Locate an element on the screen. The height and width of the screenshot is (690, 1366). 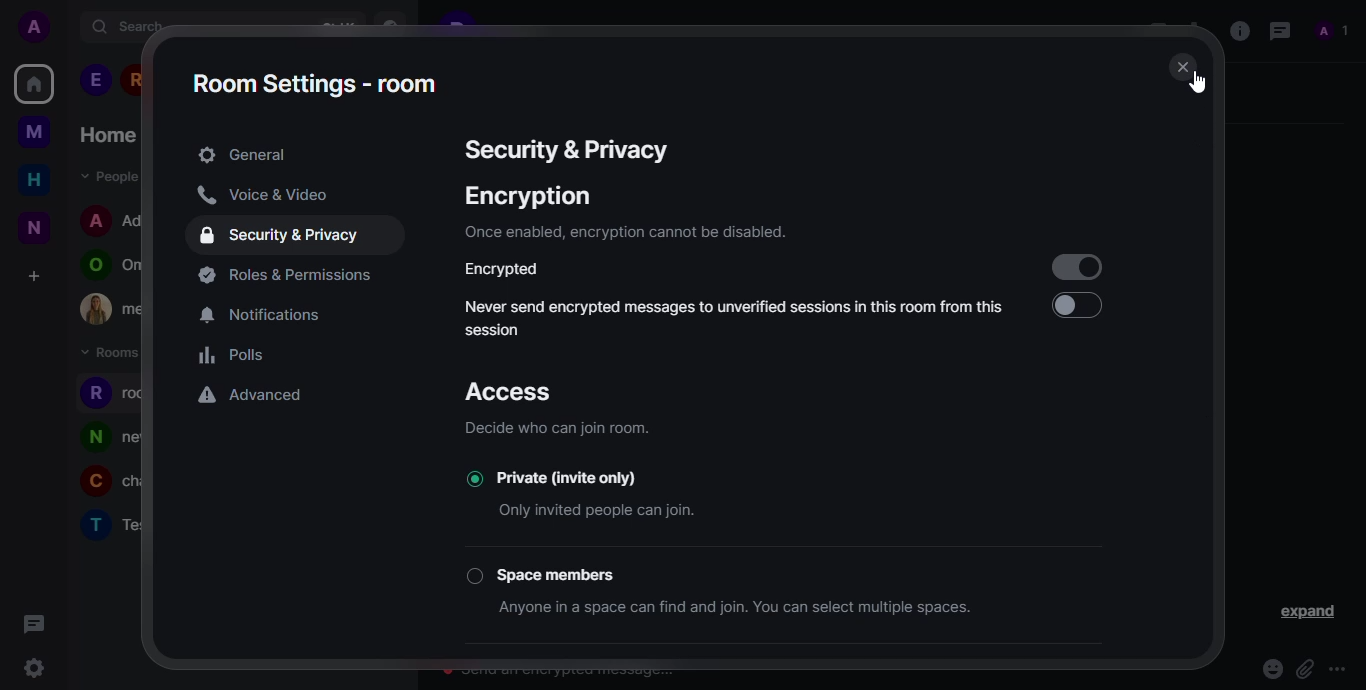
search is located at coordinates (129, 26).